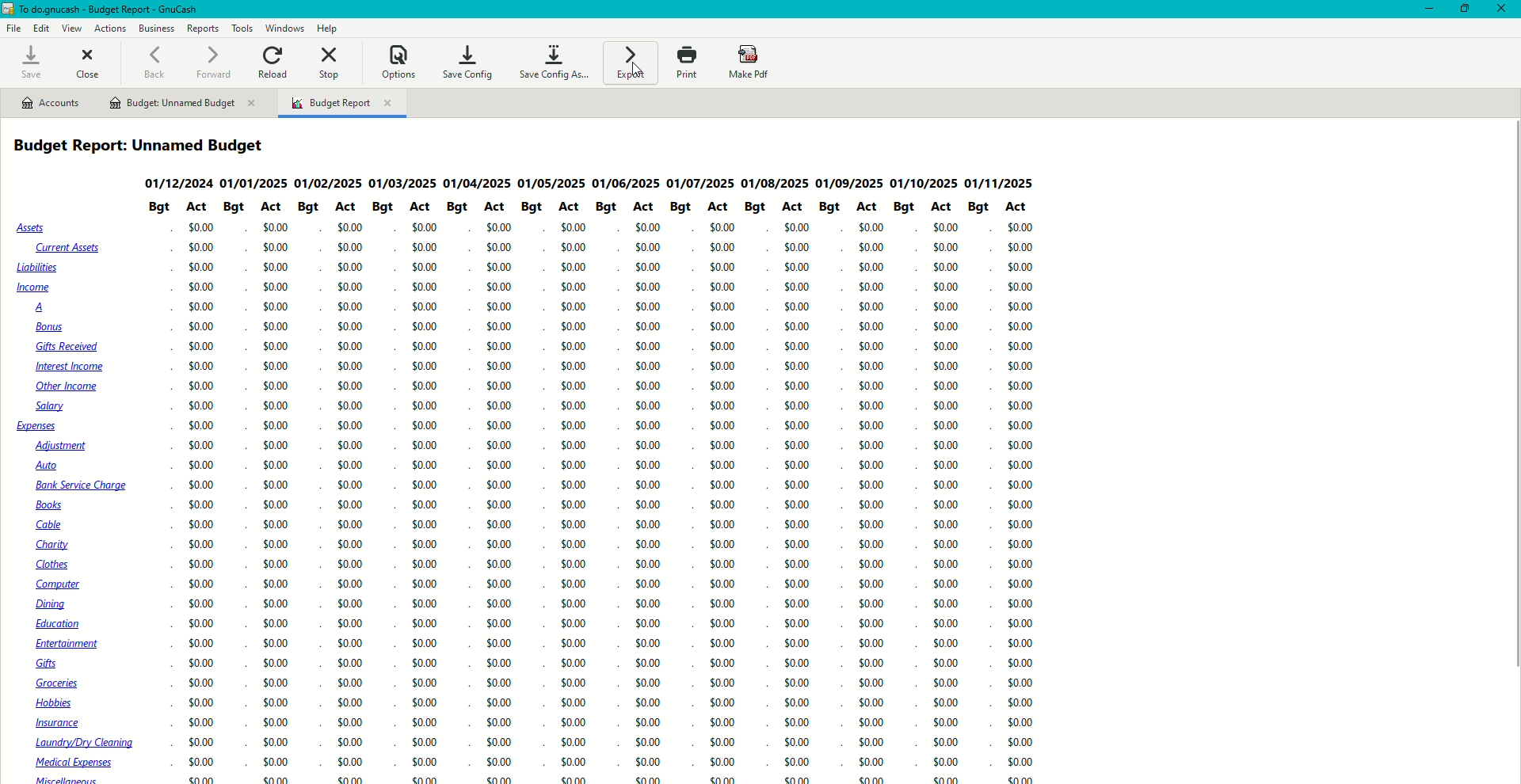 This screenshot has width=1521, height=784. I want to click on $0.00, so click(574, 308).